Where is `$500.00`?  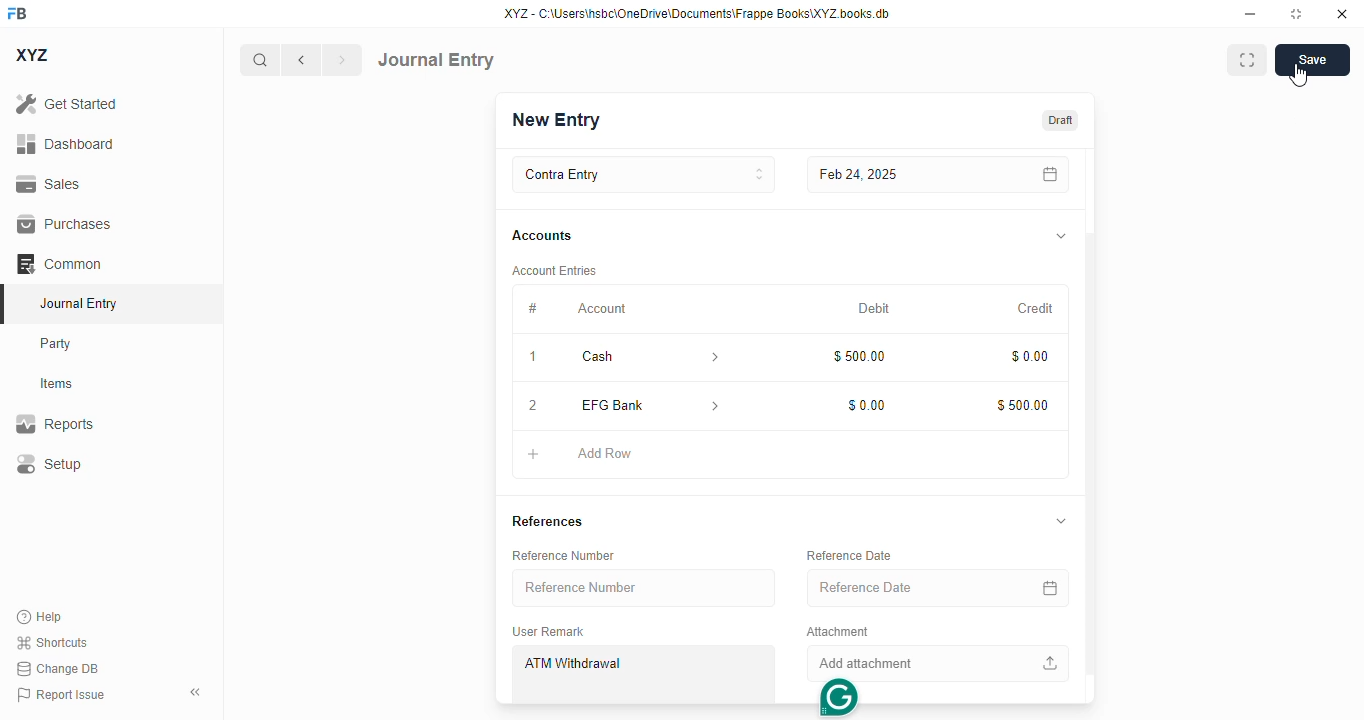 $500.00 is located at coordinates (1021, 403).